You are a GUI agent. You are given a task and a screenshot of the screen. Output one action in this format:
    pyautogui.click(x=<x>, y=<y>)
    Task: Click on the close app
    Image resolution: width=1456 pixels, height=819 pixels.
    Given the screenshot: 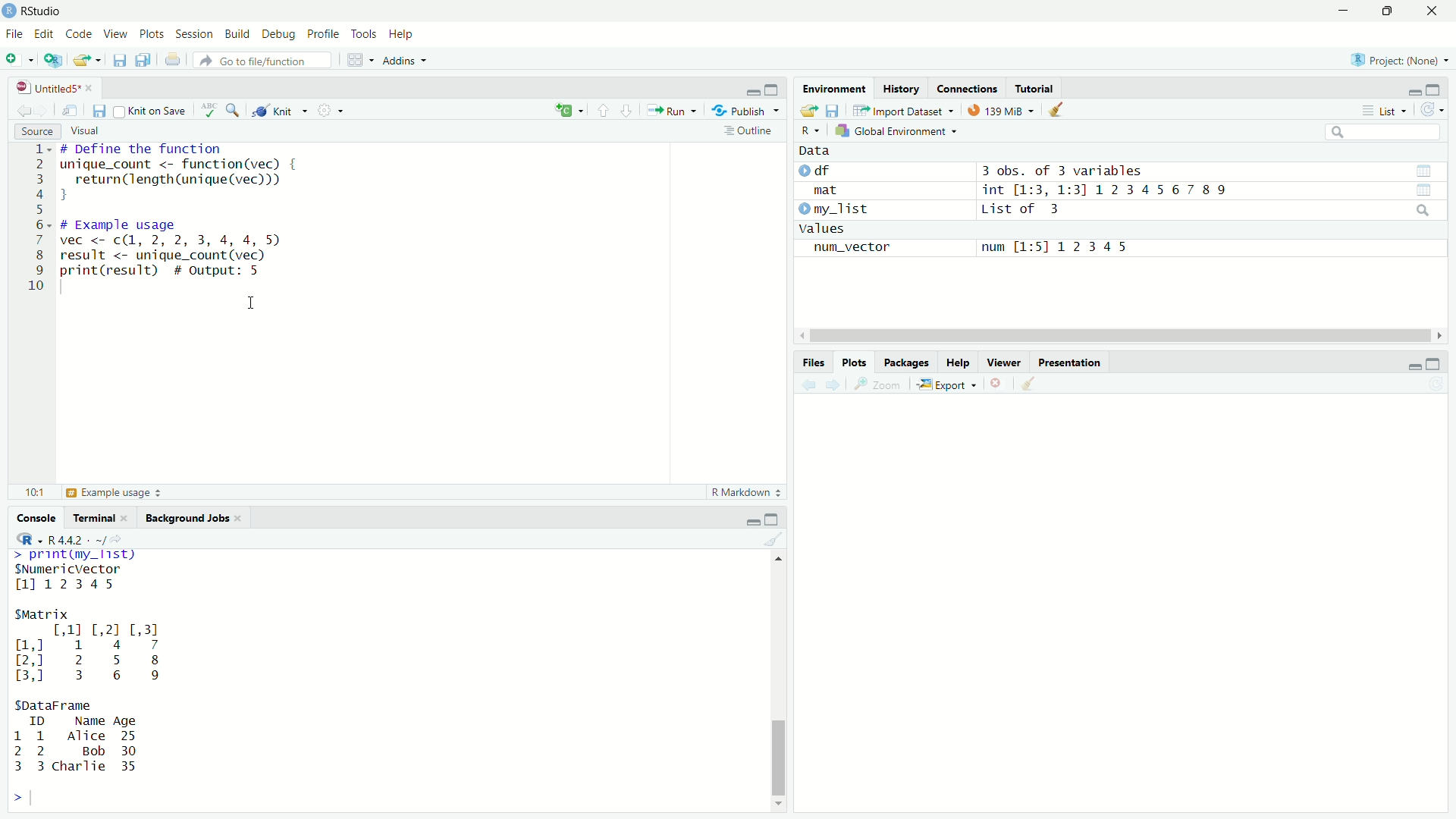 What is the action you would take?
    pyautogui.click(x=1433, y=12)
    